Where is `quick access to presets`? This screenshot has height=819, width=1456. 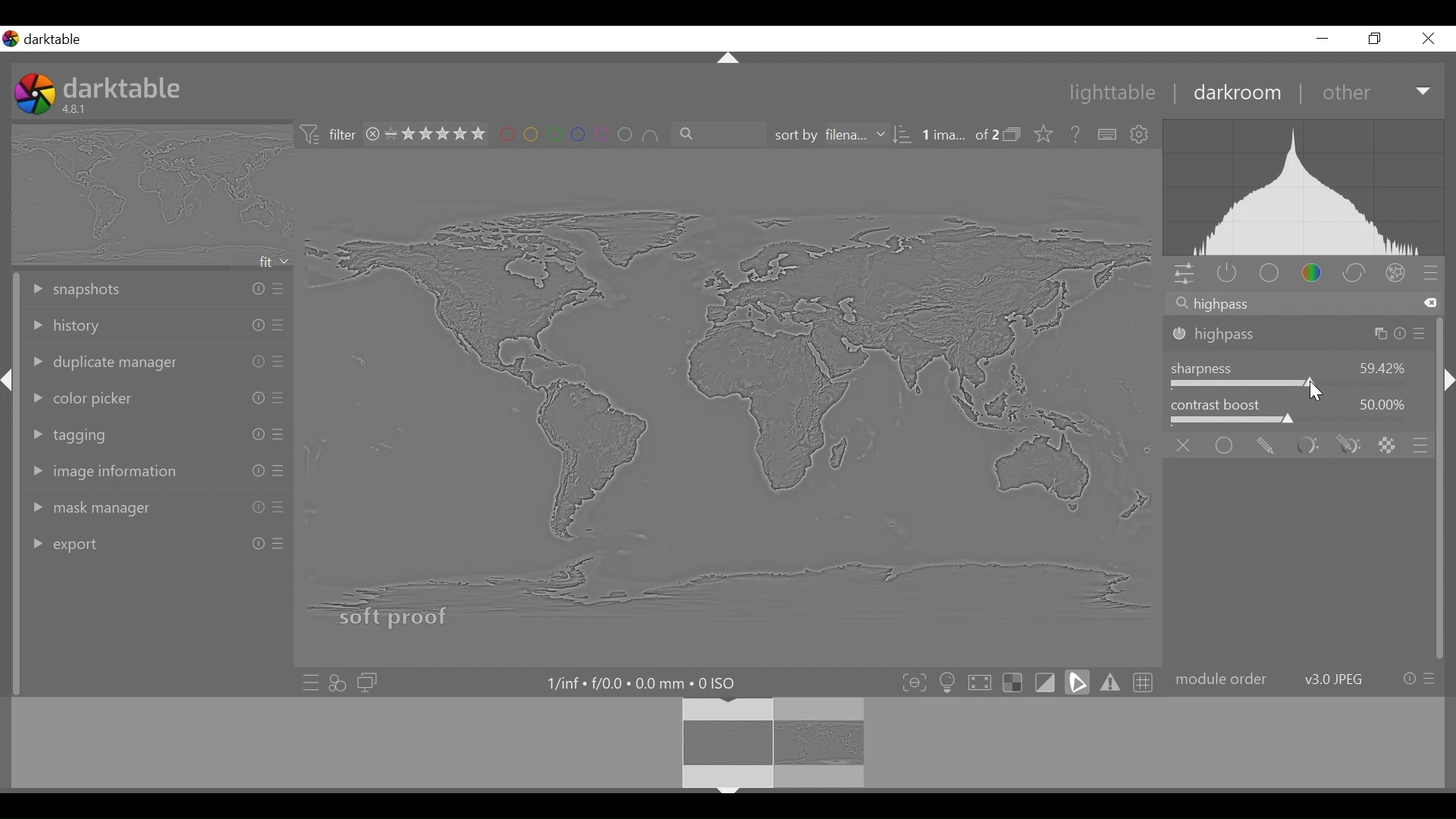 quick access to presets is located at coordinates (307, 683).